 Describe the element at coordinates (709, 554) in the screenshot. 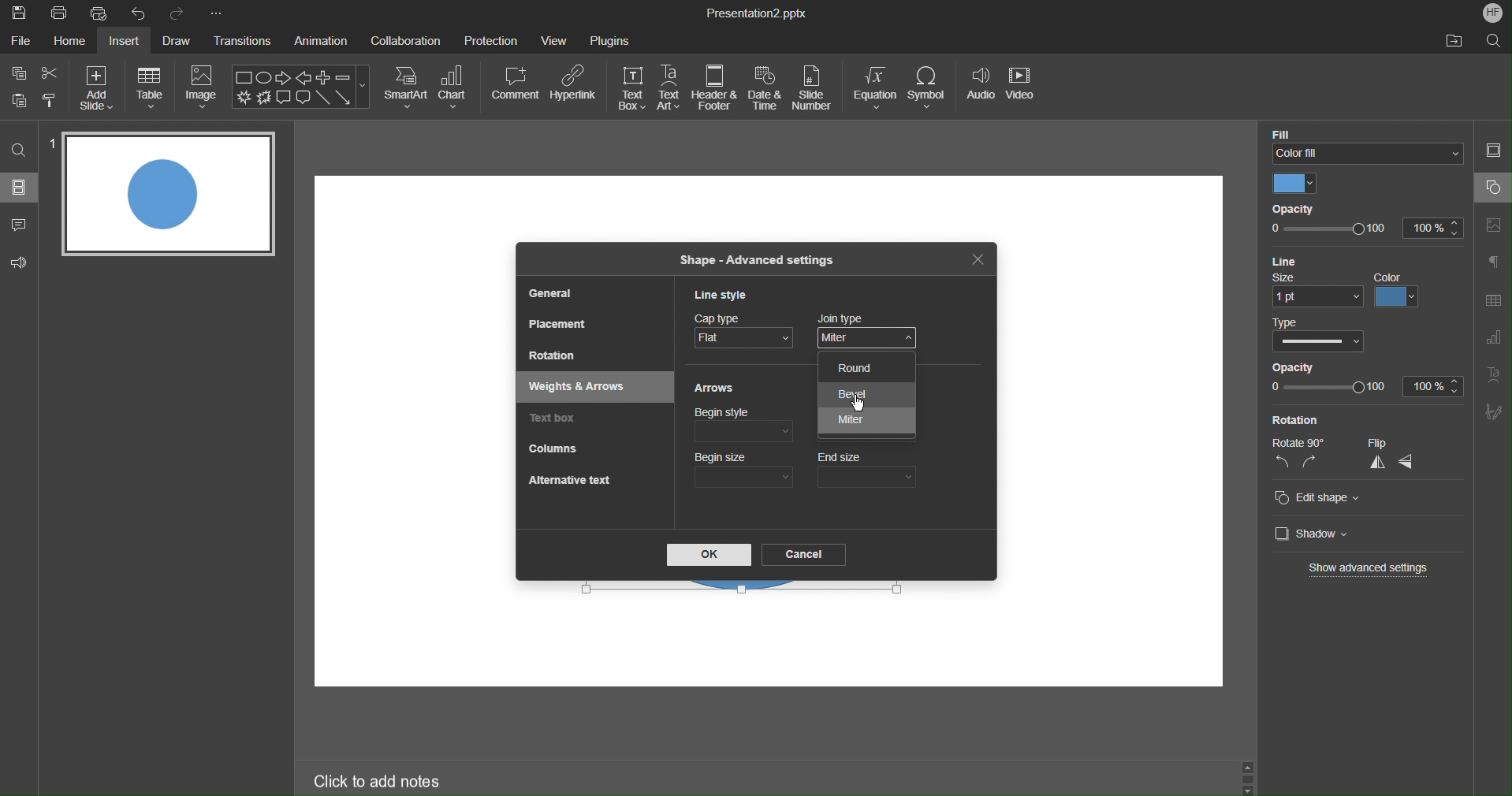

I see `OK` at that location.